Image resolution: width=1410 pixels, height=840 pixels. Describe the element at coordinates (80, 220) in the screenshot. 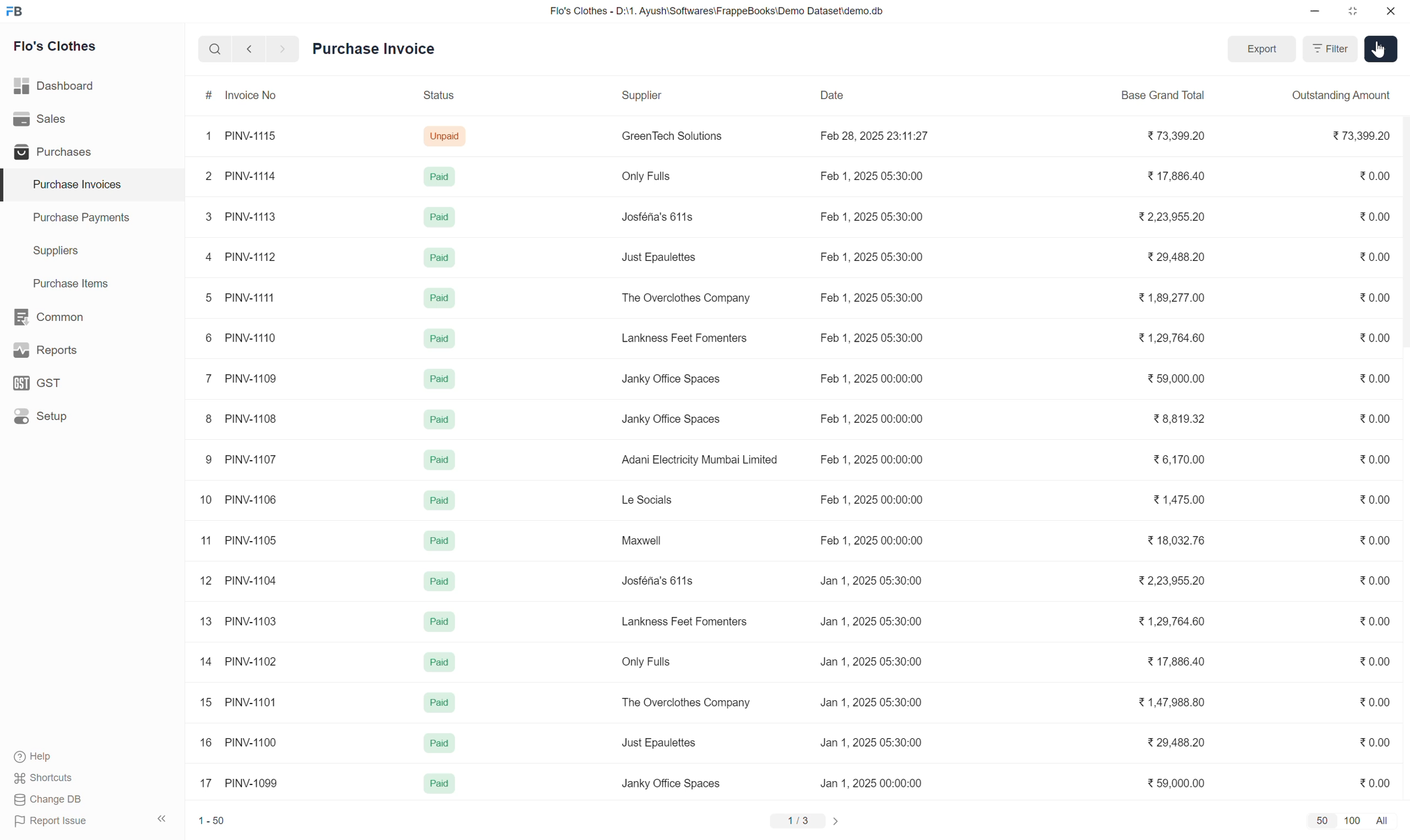

I see `Purchase Payments` at that location.